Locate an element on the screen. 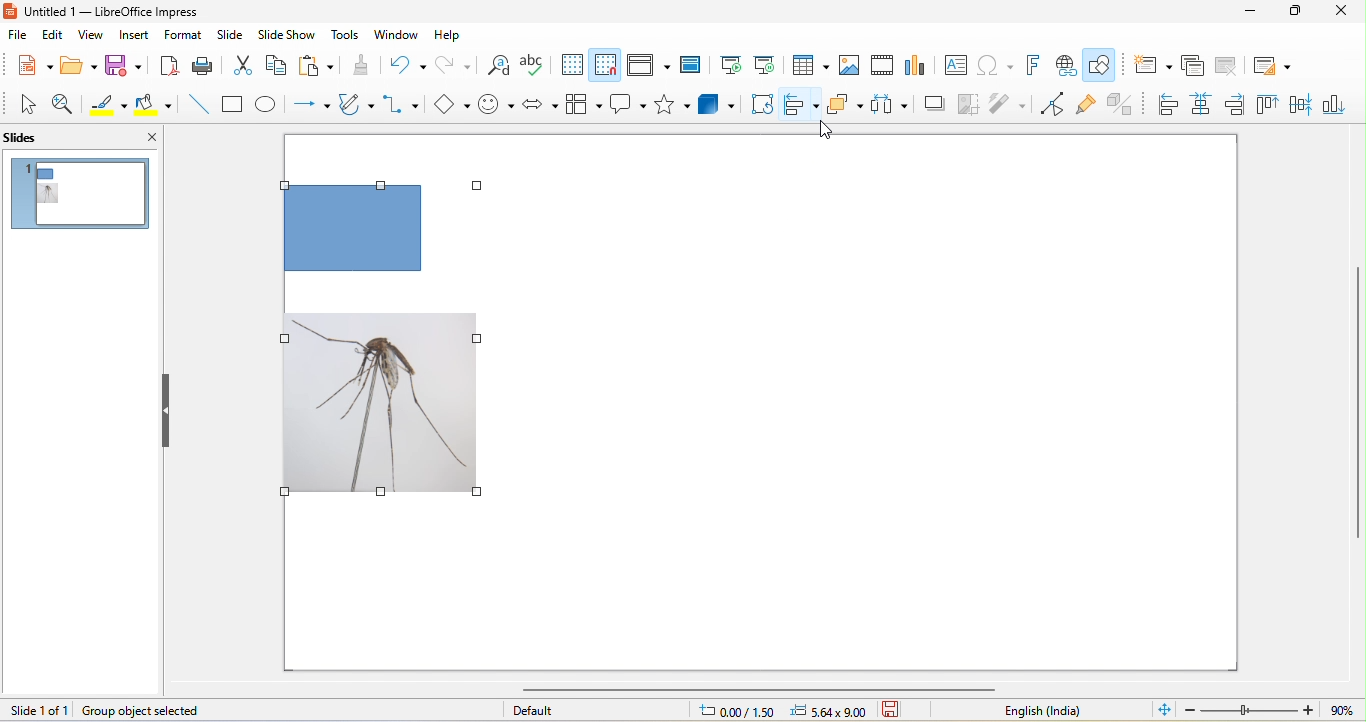  centred is located at coordinates (1202, 105).